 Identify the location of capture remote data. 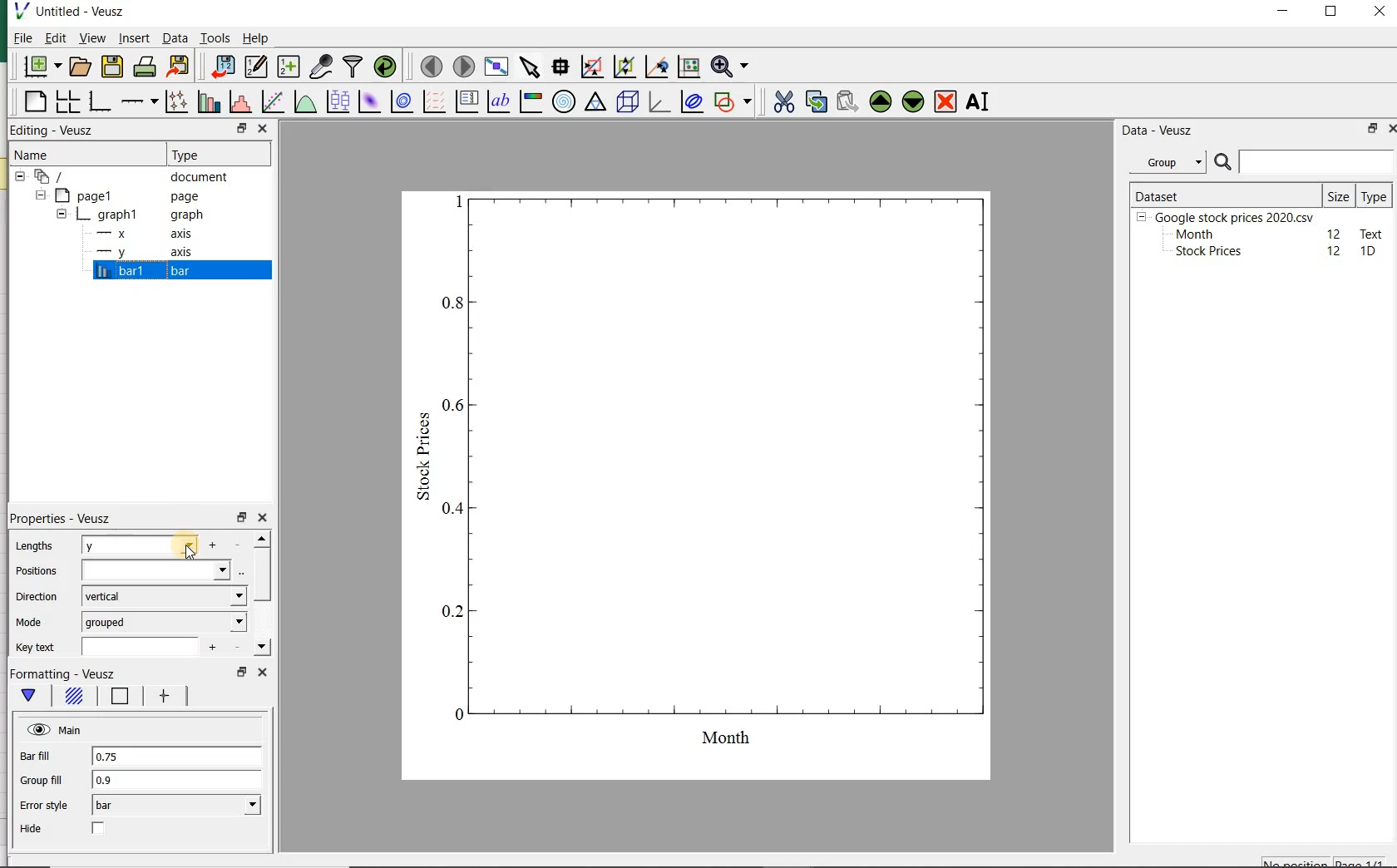
(321, 67).